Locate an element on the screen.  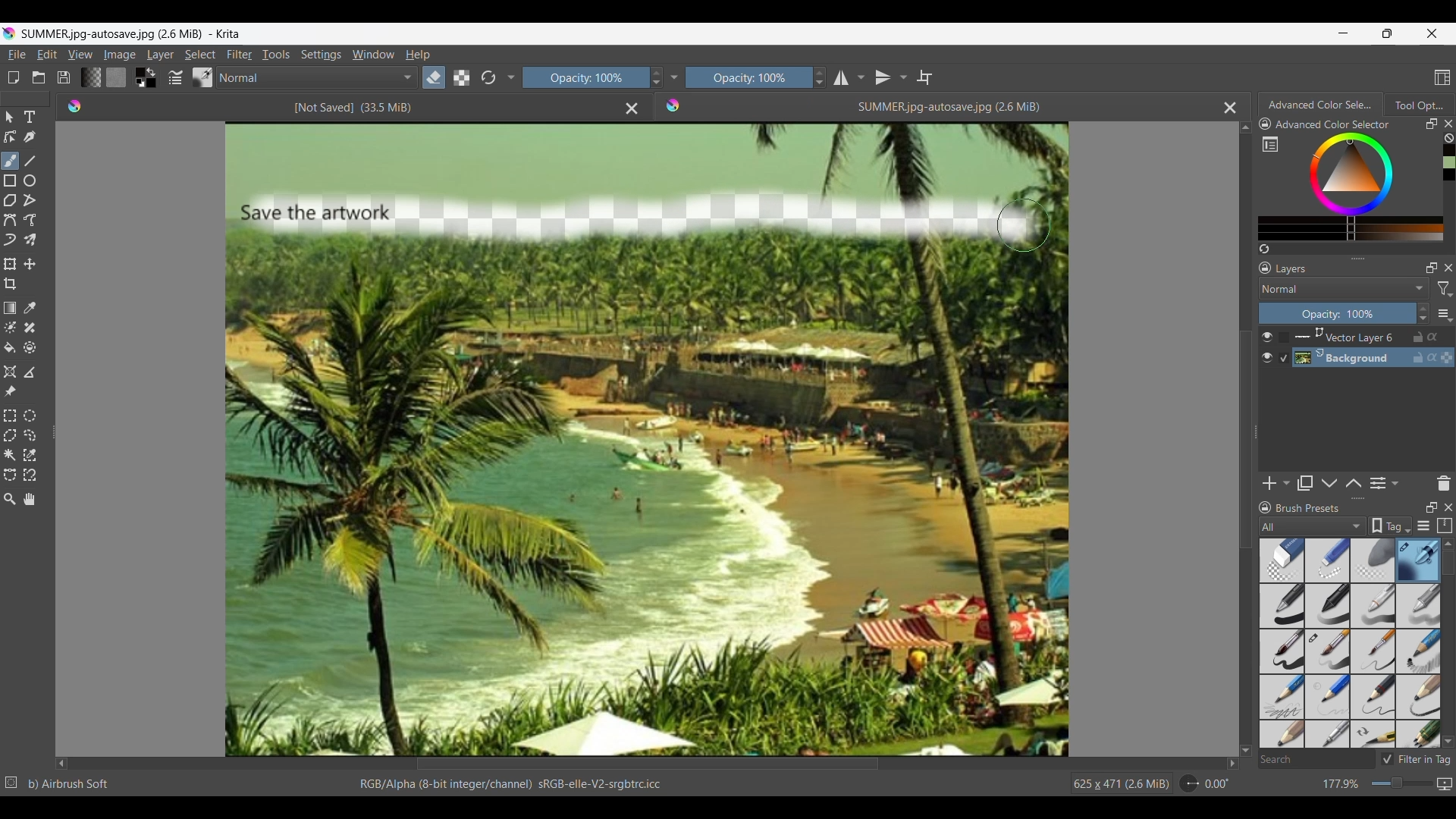
Layer mode options is located at coordinates (1344, 288).